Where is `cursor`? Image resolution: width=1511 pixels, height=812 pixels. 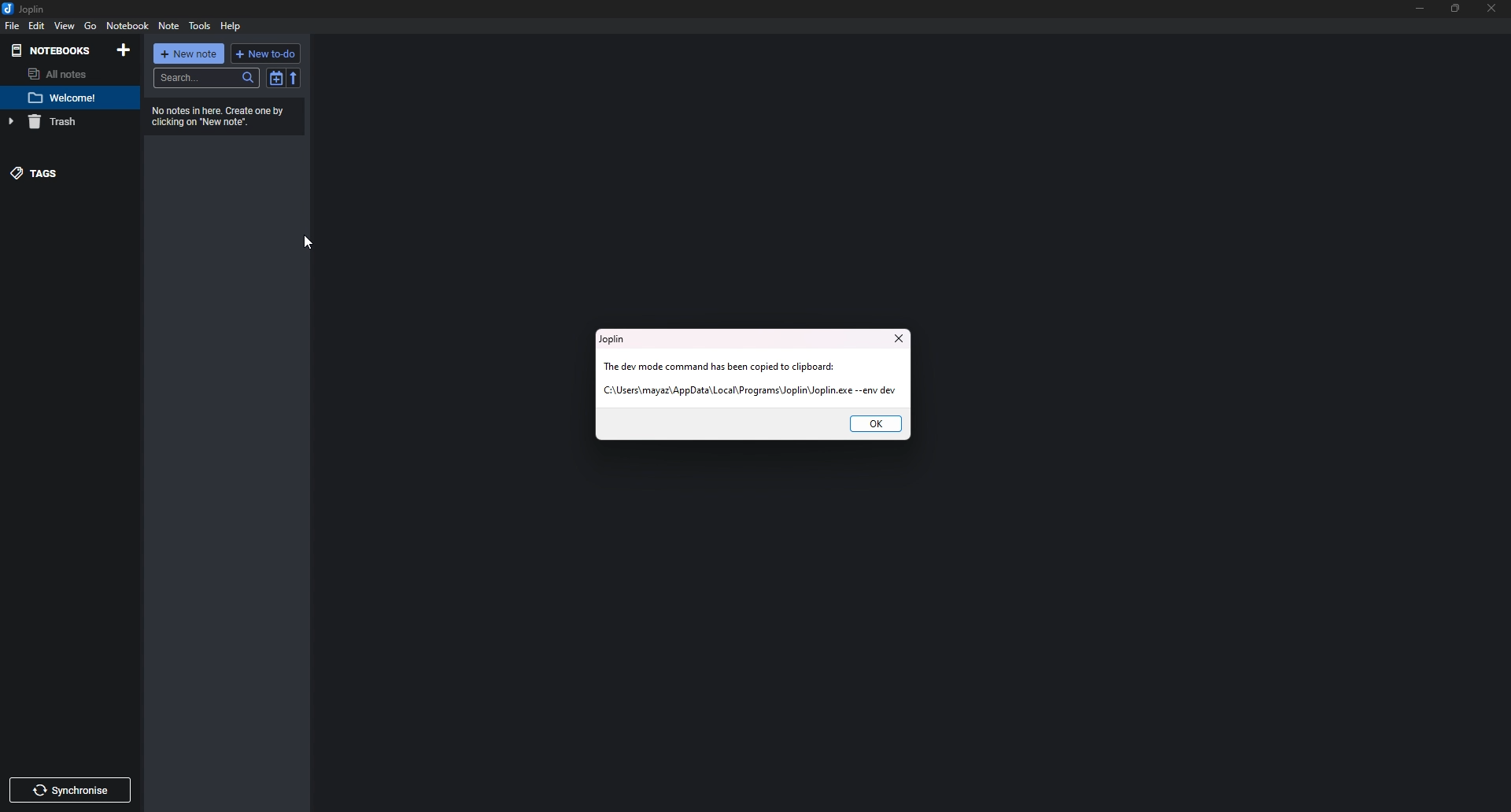
cursor is located at coordinates (305, 244).